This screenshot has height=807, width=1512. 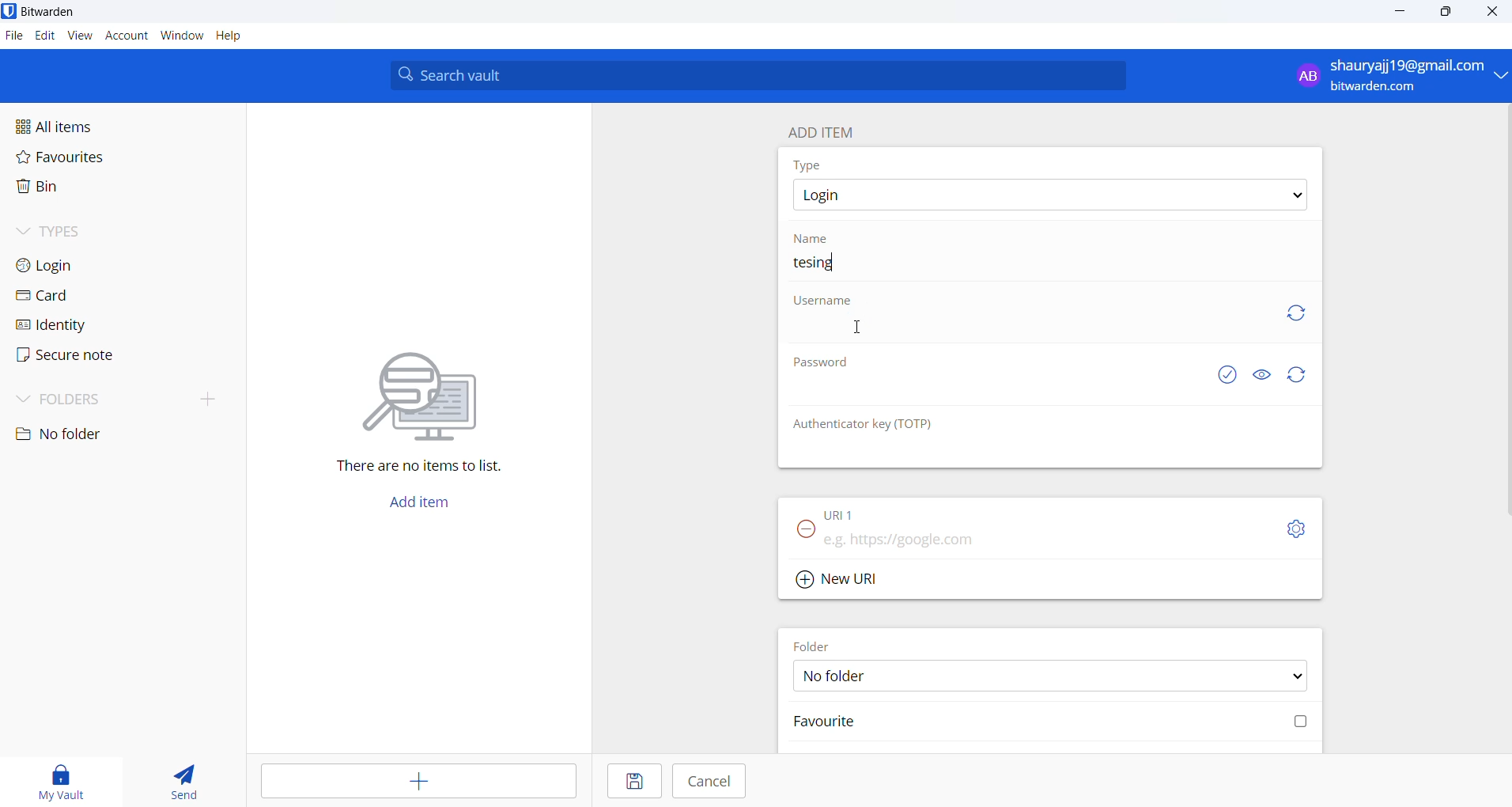 What do you see at coordinates (55, 12) in the screenshot?
I see `application name` at bounding box center [55, 12].